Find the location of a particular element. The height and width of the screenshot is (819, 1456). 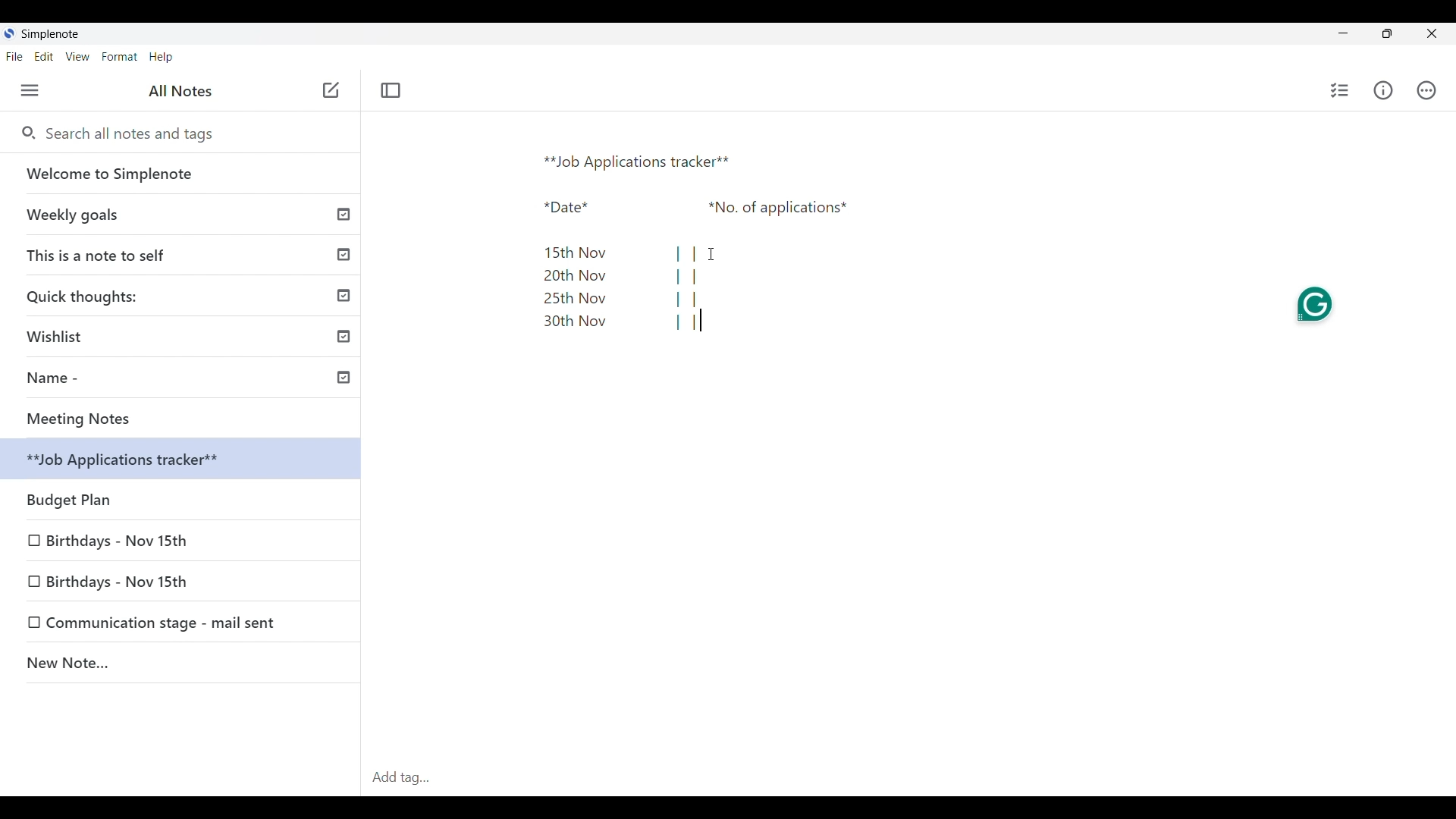

File is located at coordinates (13, 56).